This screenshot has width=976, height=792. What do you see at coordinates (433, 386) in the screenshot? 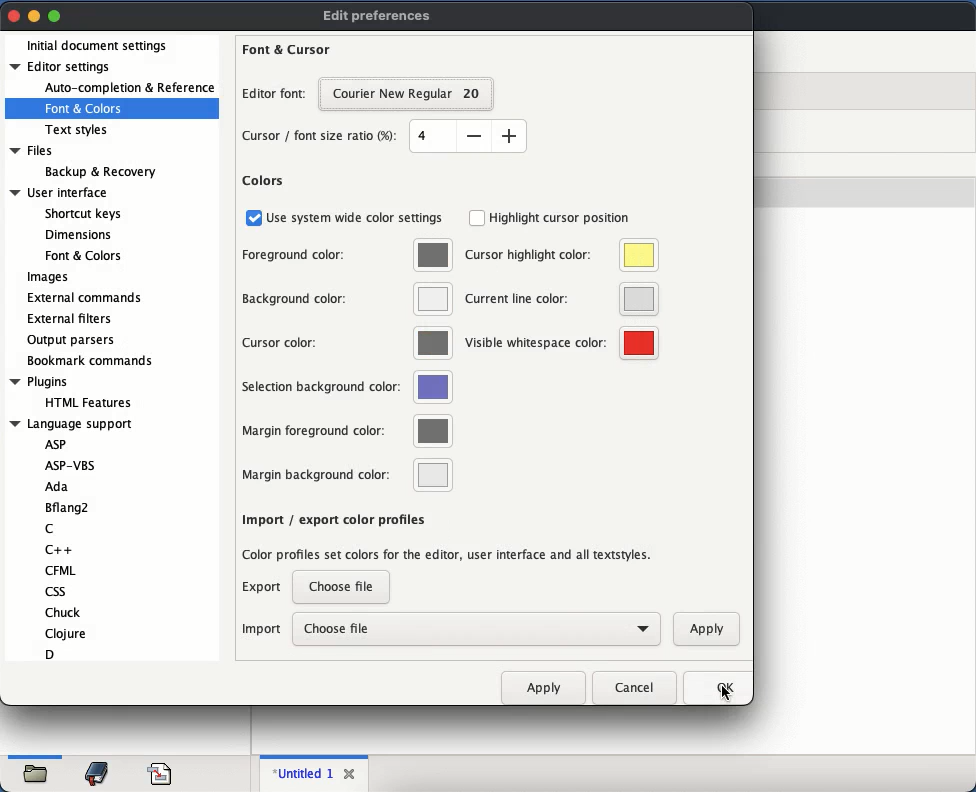
I see `color` at bounding box center [433, 386].